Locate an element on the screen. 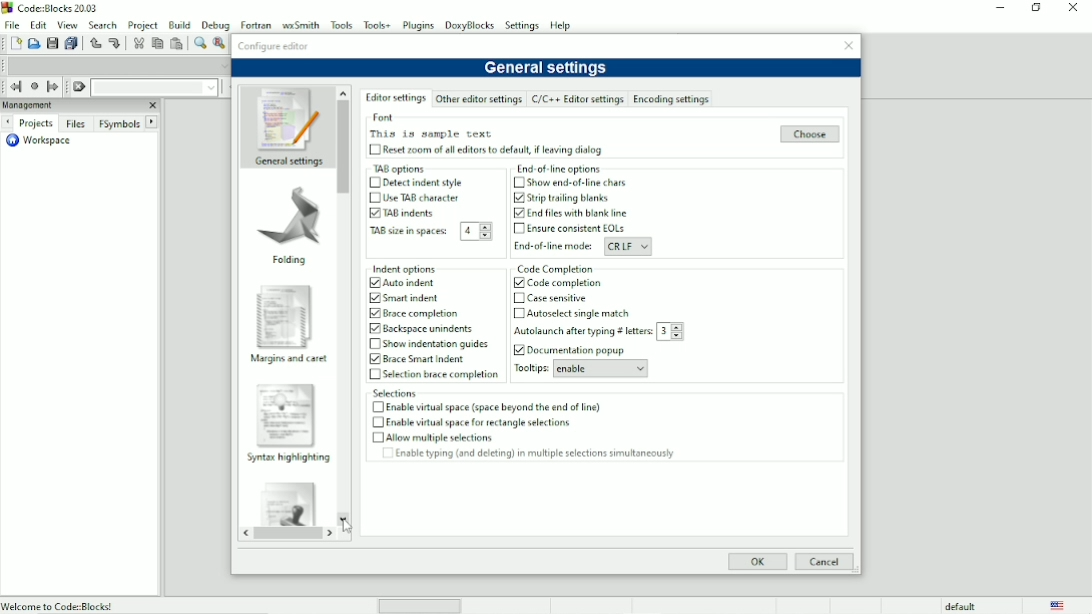  Clear is located at coordinates (79, 87).